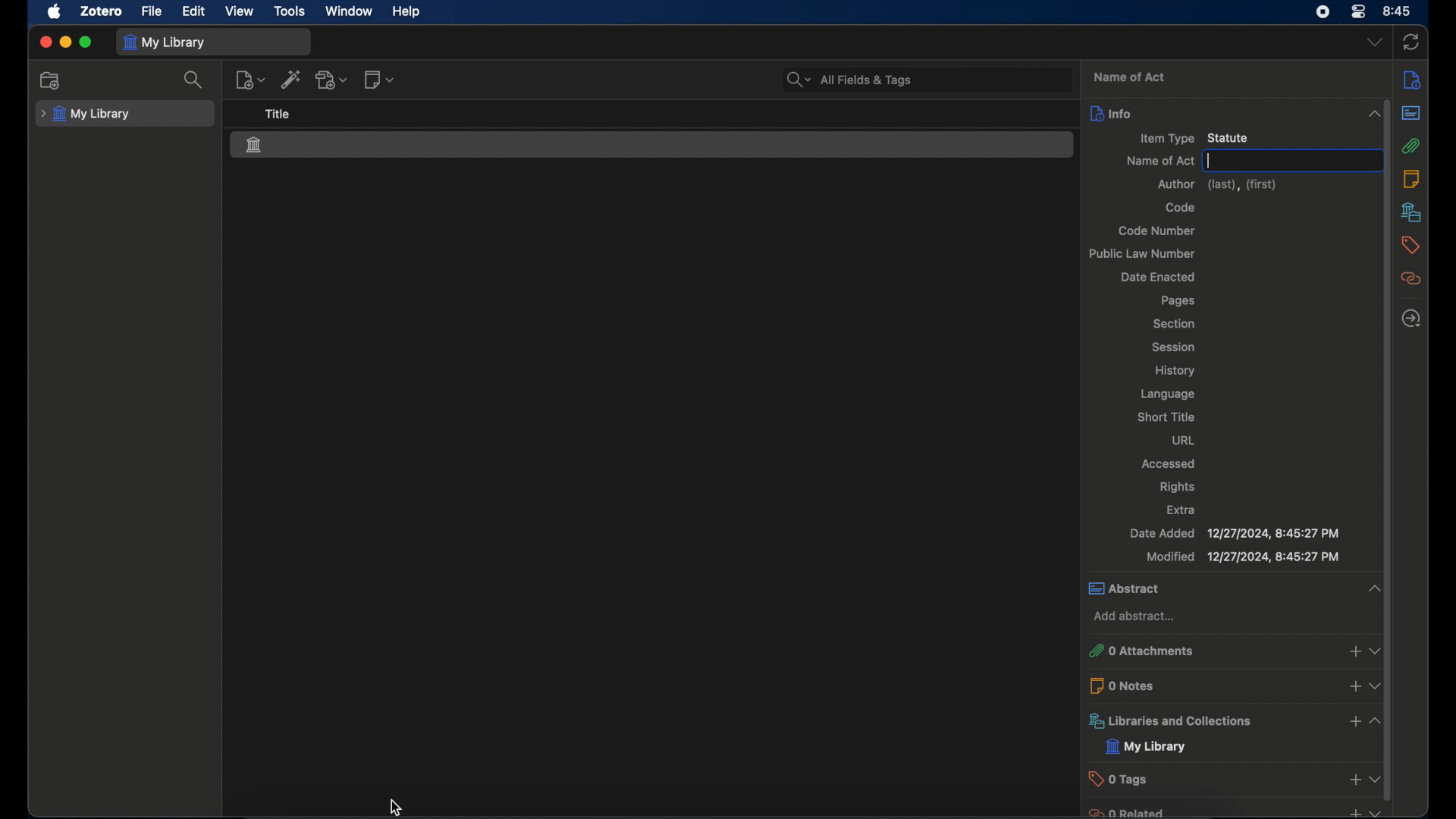 The height and width of the screenshot is (819, 1456). What do you see at coordinates (1373, 43) in the screenshot?
I see `dropdown` at bounding box center [1373, 43].